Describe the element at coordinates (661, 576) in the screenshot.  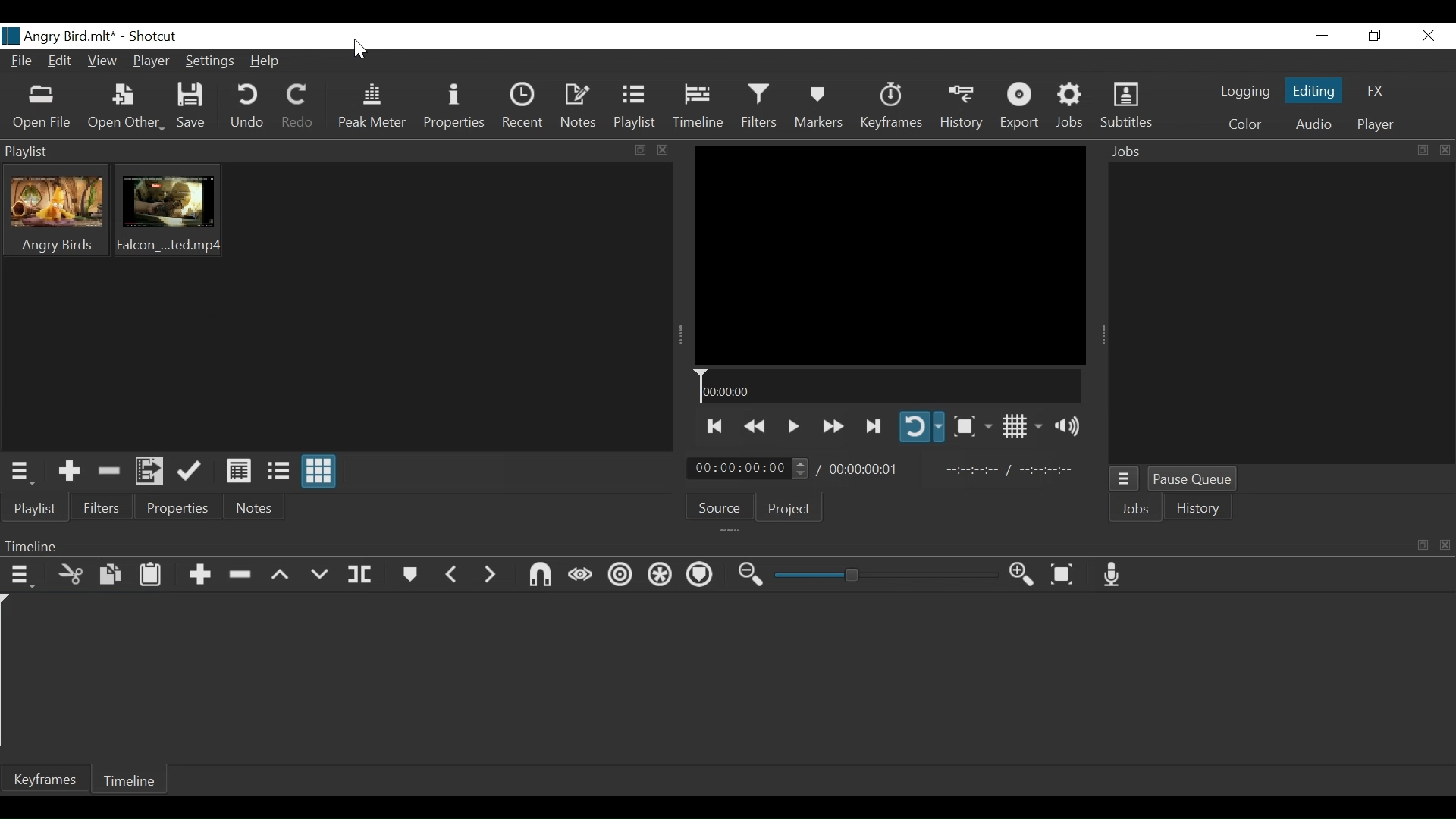
I see `Rippla all tracks` at that location.